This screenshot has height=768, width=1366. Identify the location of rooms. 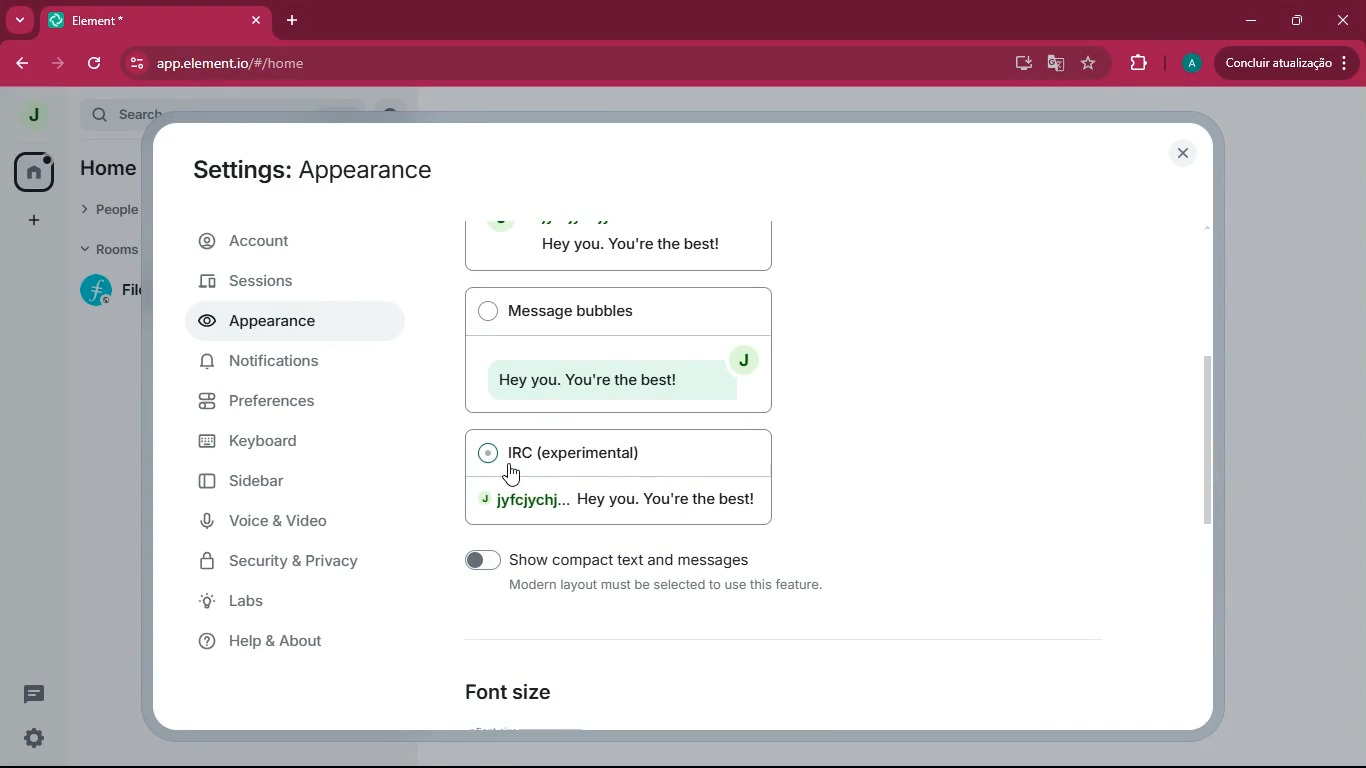
(106, 248).